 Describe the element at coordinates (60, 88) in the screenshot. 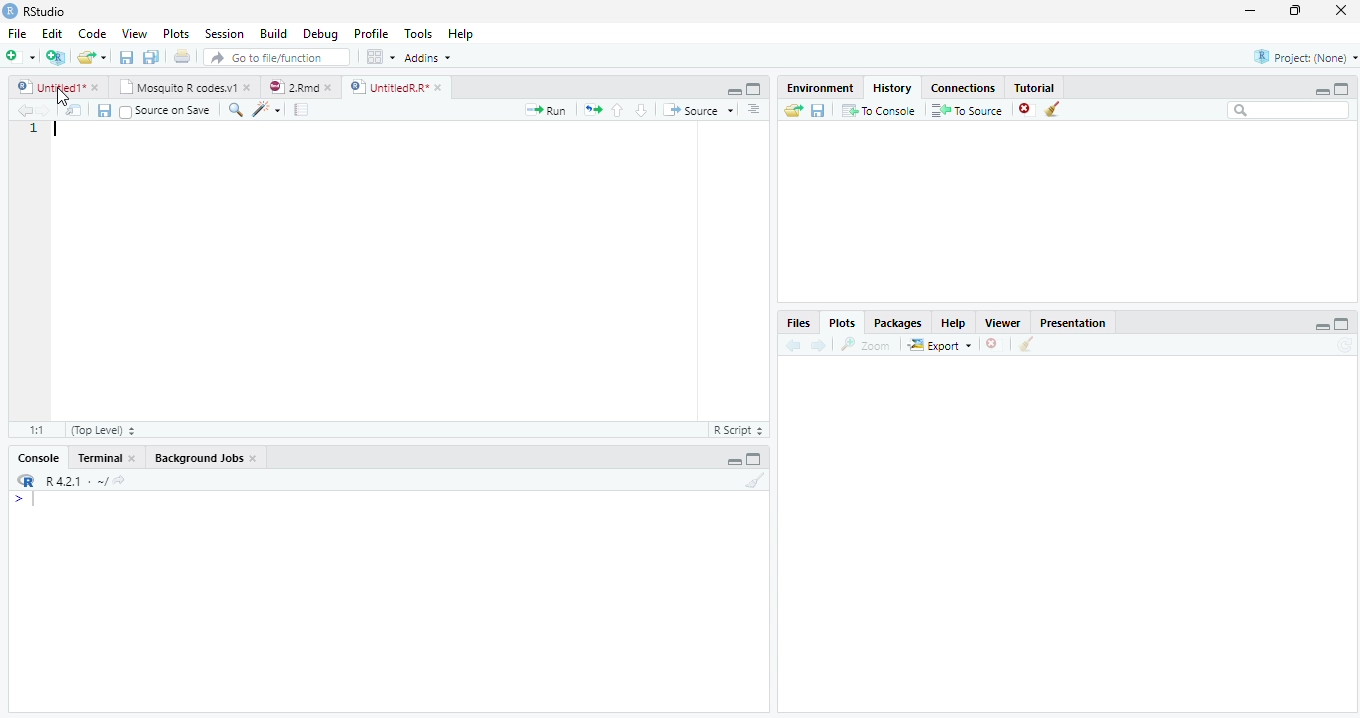

I see `Untitled` at that location.